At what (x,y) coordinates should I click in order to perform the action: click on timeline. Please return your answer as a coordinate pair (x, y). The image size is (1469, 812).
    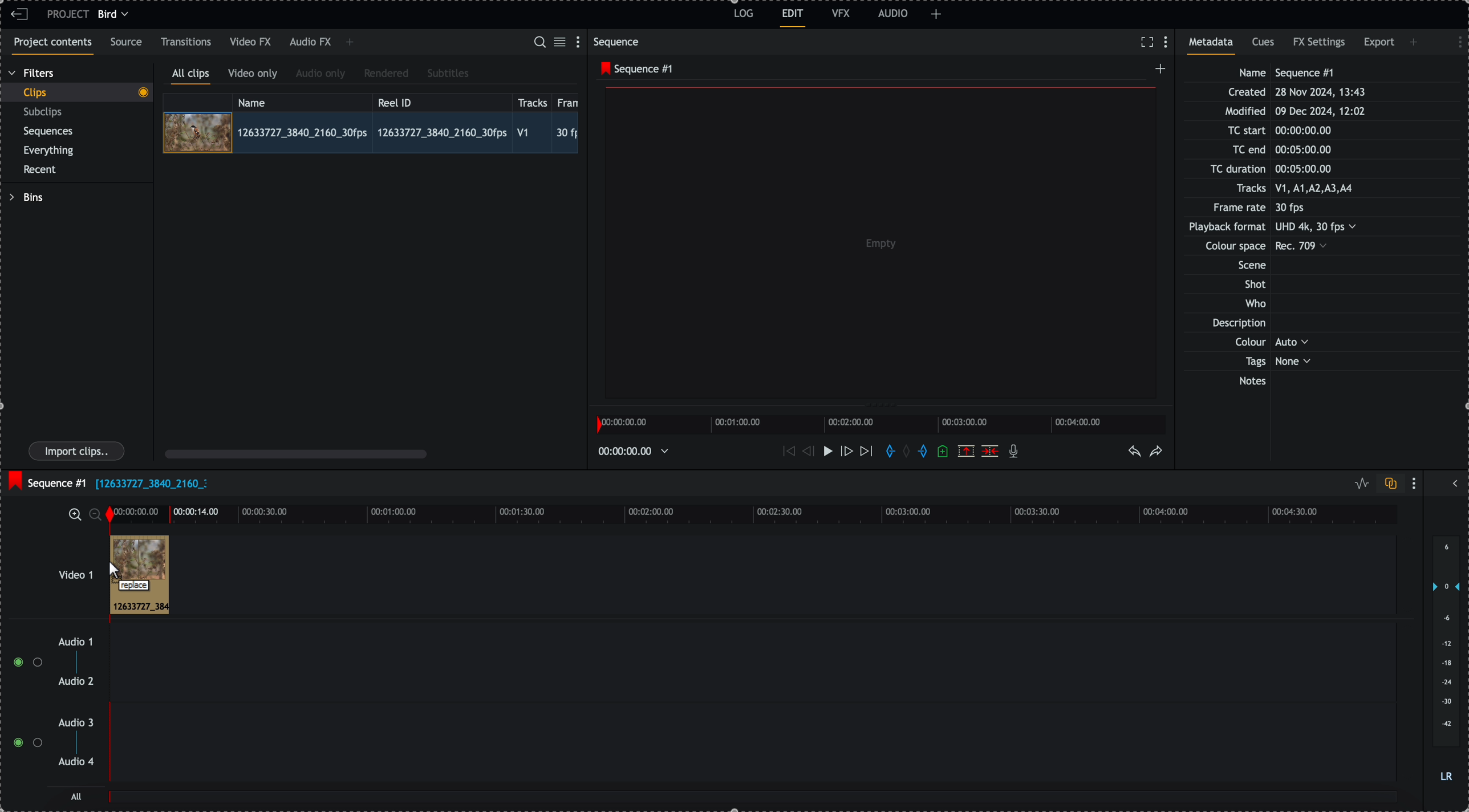
    Looking at the image, I should click on (637, 450).